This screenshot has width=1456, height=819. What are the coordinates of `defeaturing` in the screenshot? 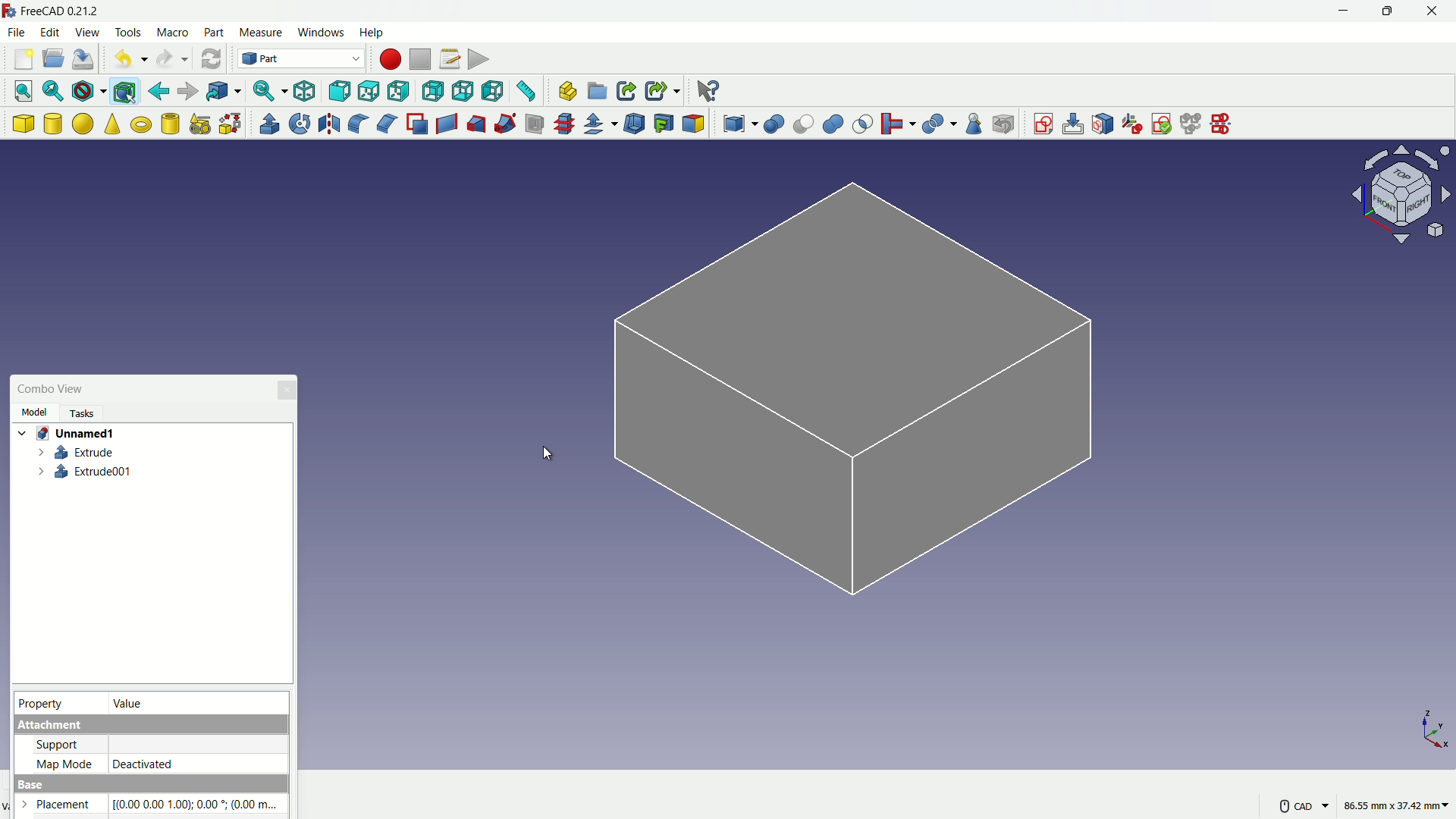 It's located at (1003, 124).